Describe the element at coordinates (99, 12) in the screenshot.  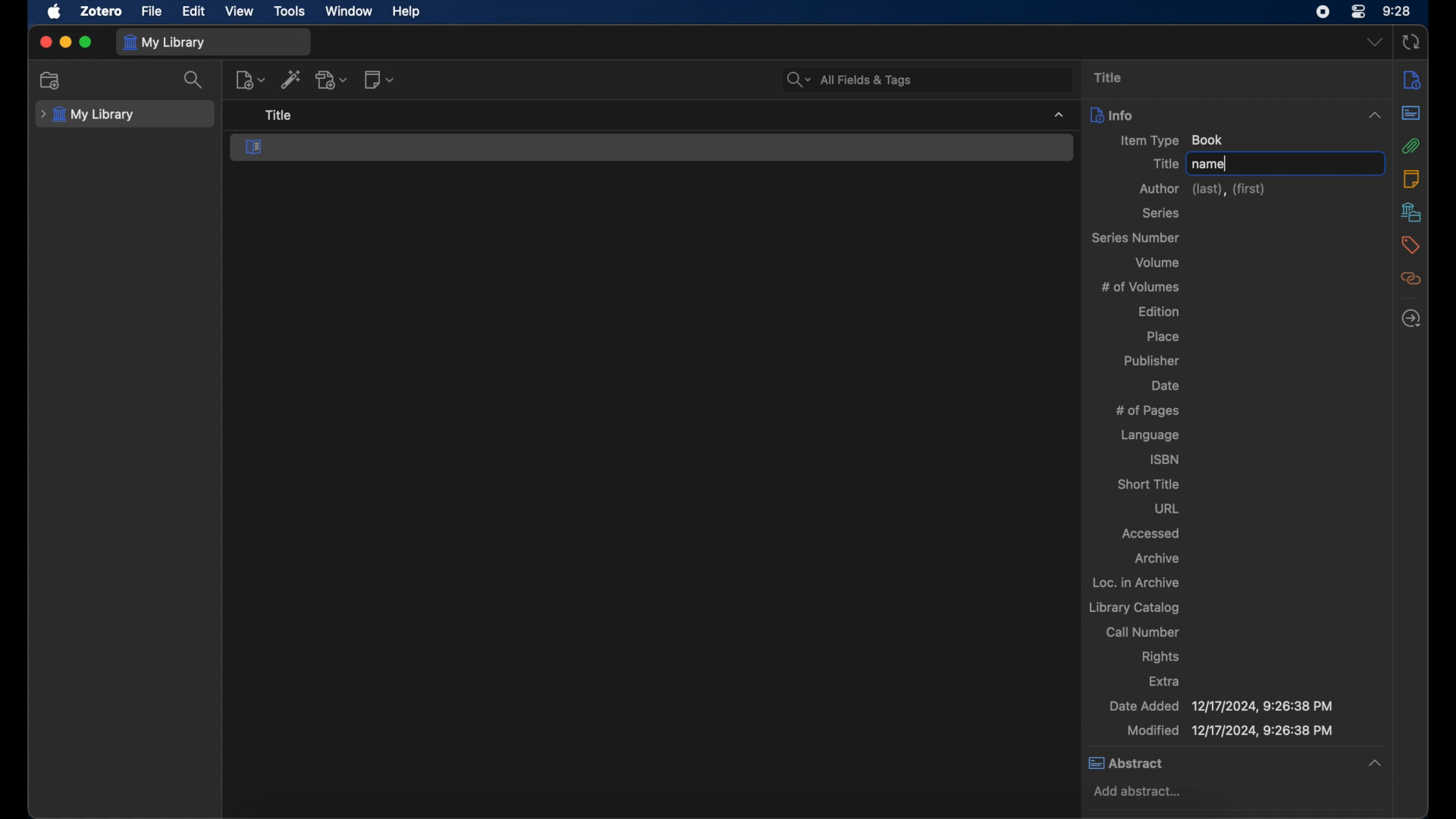
I see `zotero` at that location.